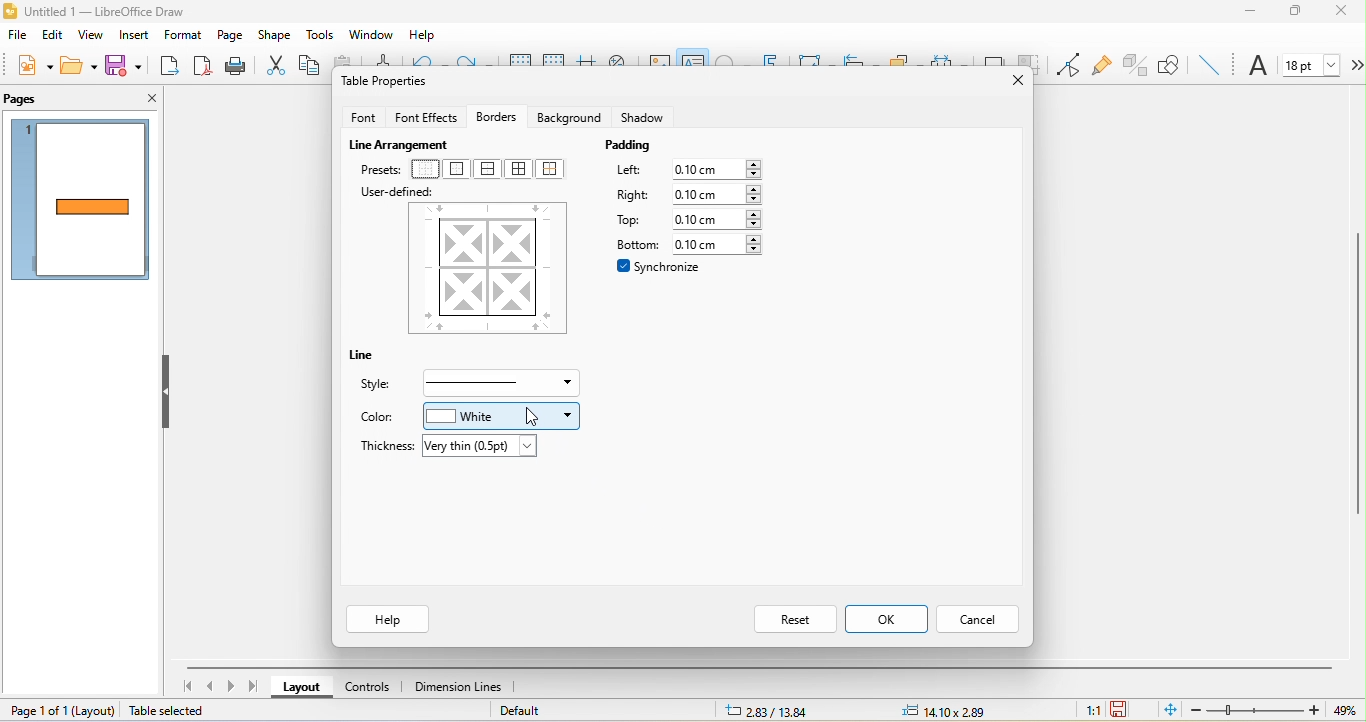  I want to click on vertical scroll bar, so click(1357, 373).